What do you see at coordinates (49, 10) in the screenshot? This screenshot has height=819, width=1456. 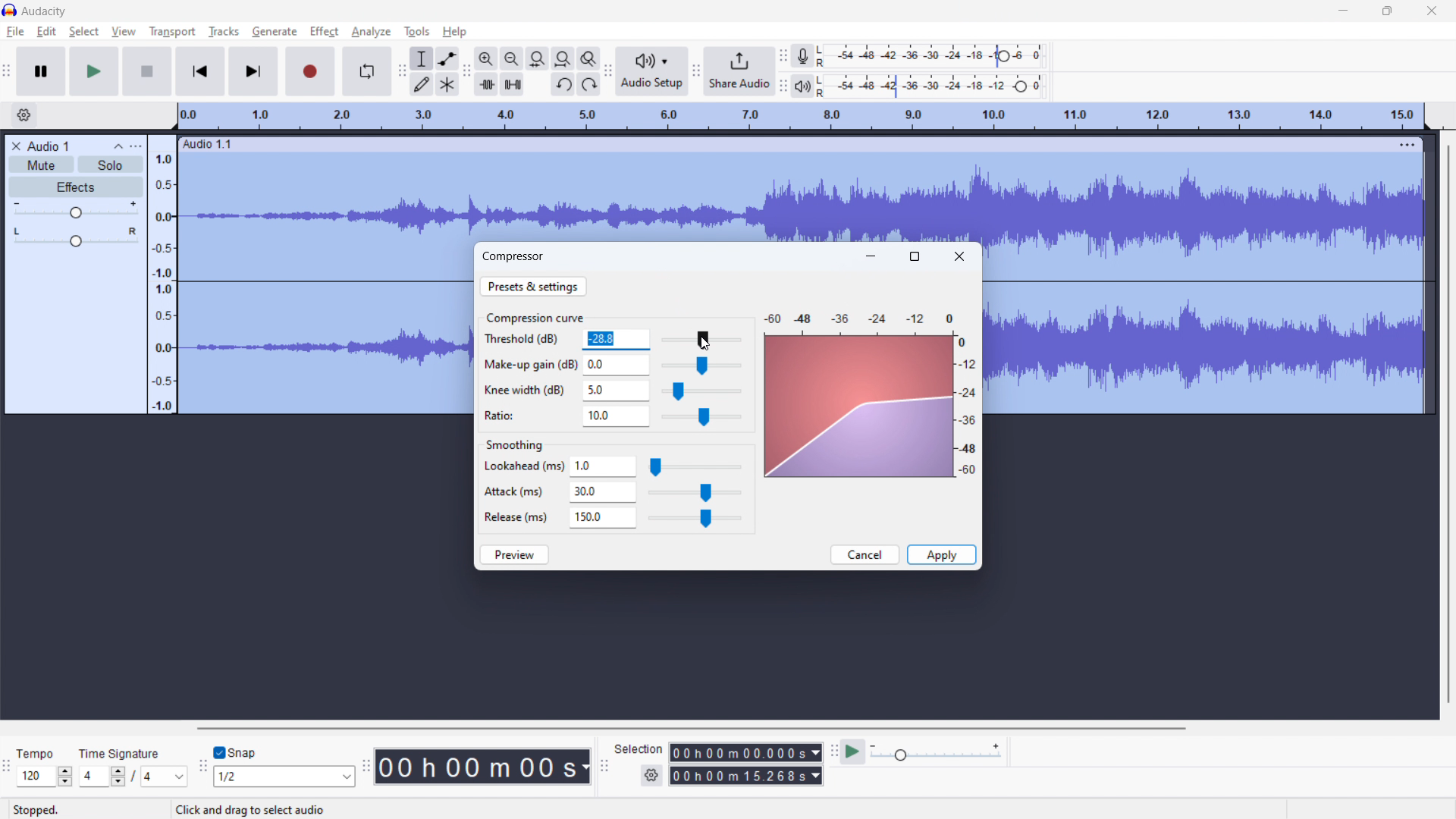 I see `Audacity (title)` at bounding box center [49, 10].